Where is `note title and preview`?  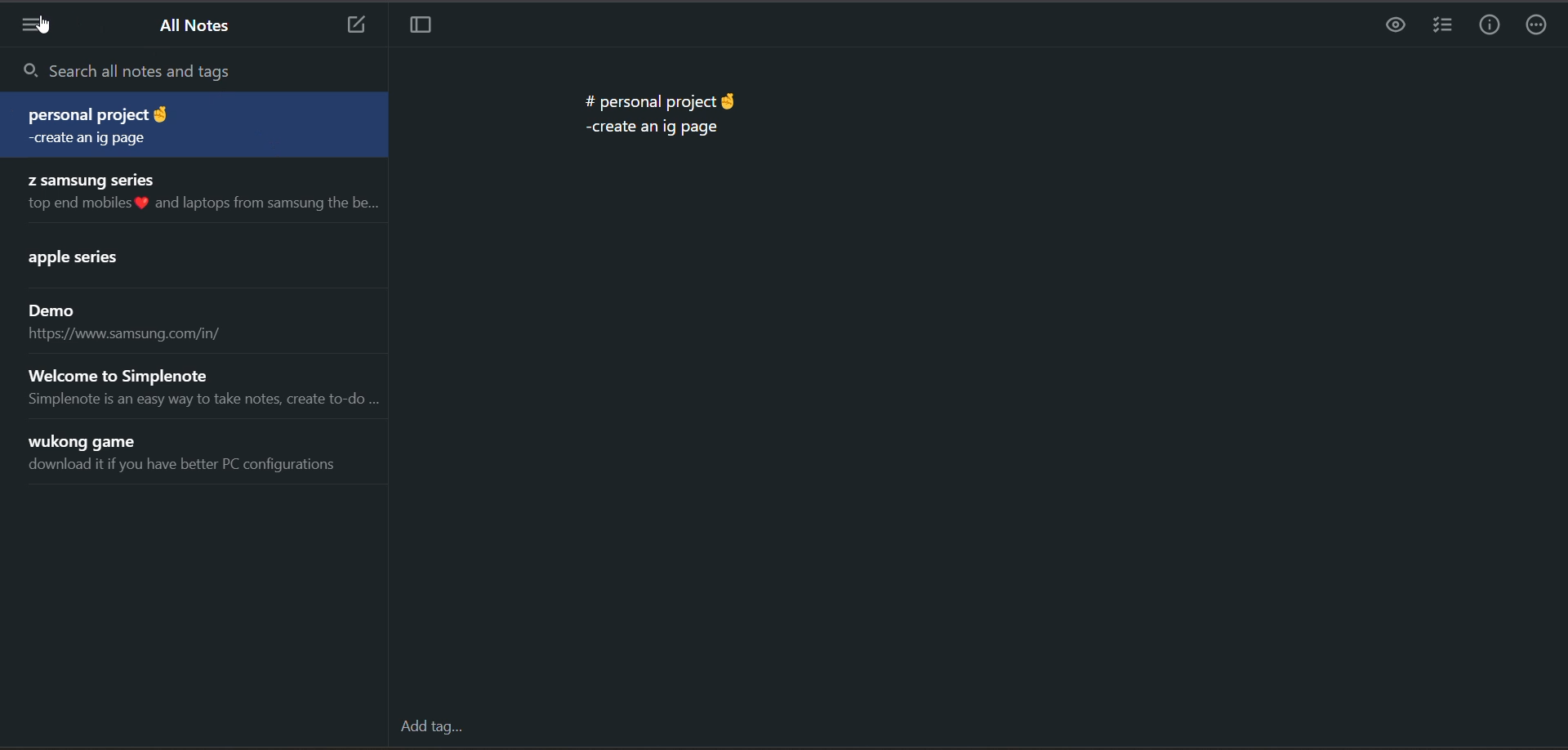 note title and preview is located at coordinates (197, 127).